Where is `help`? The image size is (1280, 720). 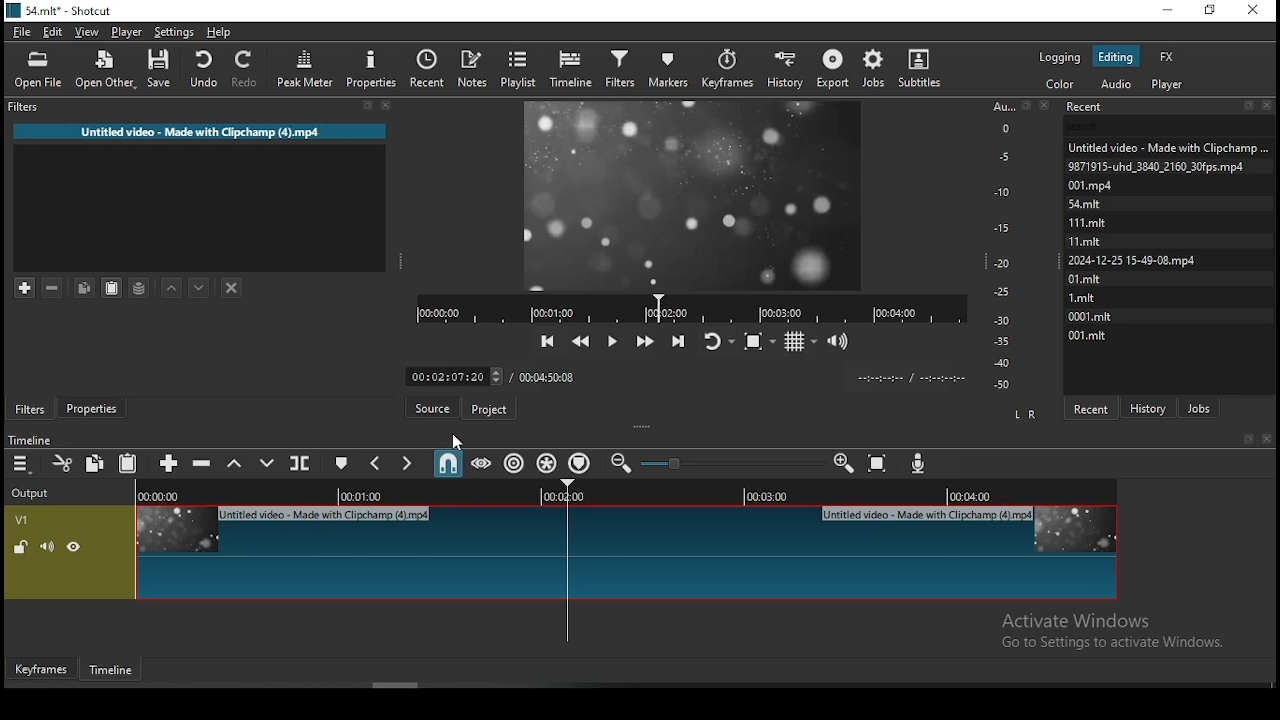
help is located at coordinates (218, 31).